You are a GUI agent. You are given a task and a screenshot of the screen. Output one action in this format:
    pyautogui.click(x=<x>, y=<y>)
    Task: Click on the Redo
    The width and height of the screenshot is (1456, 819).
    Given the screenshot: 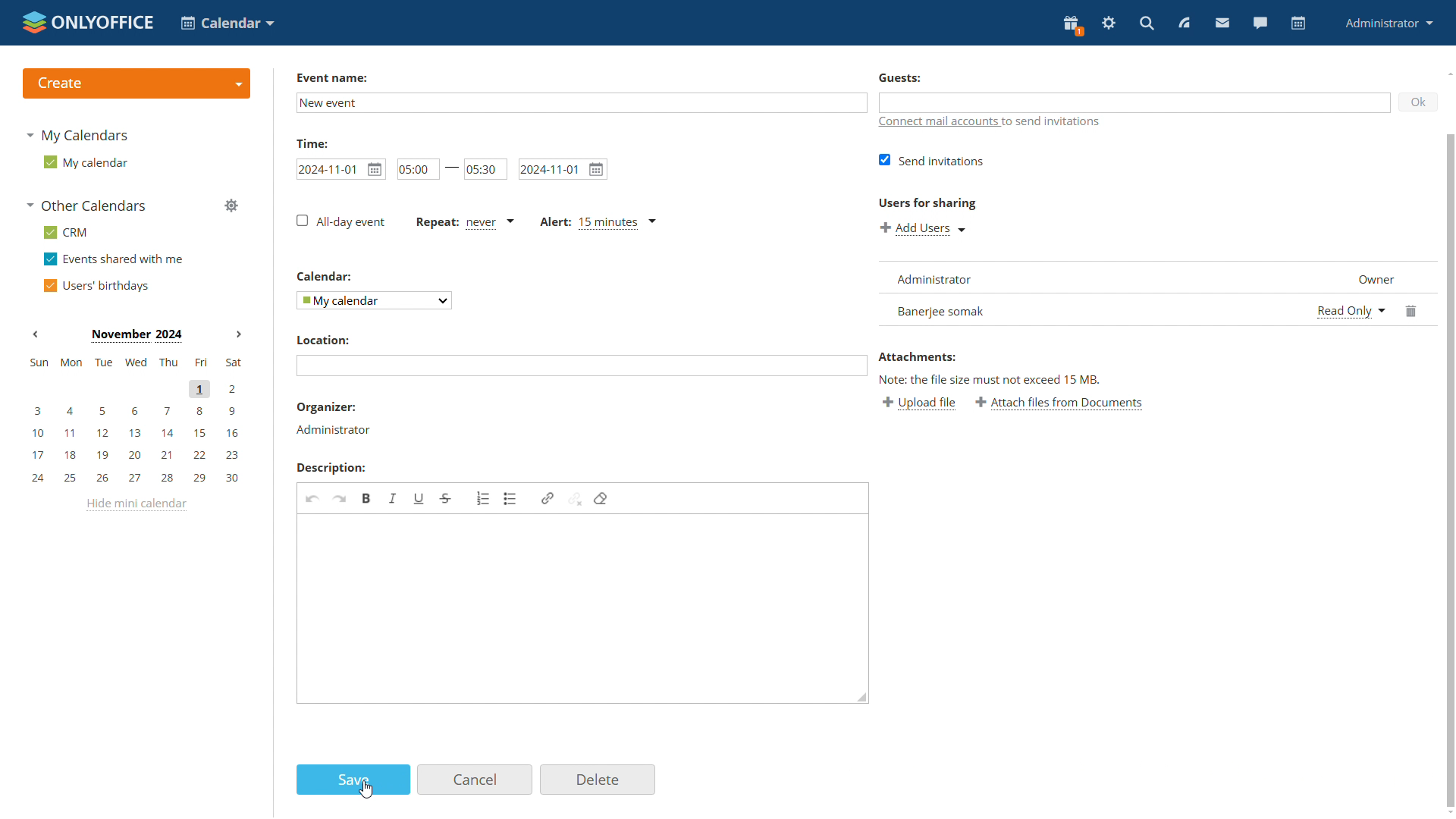 What is the action you would take?
    pyautogui.click(x=340, y=499)
    